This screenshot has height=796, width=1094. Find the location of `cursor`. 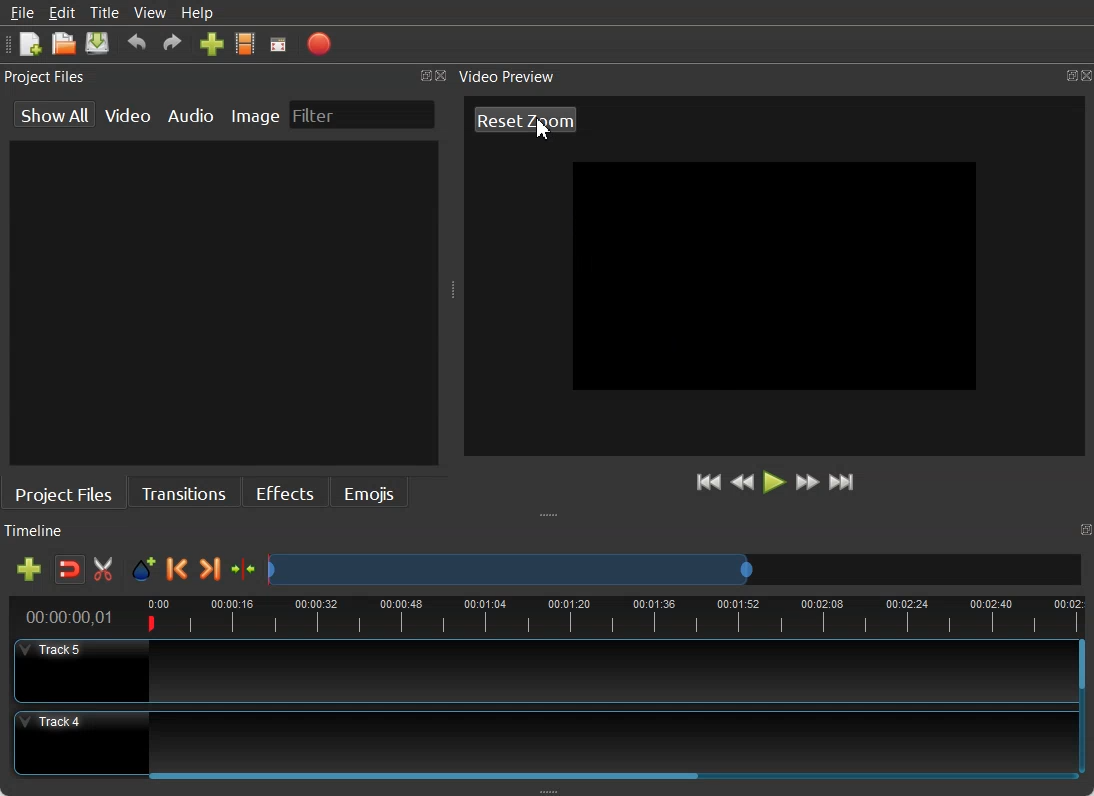

cursor is located at coordinates (543, 135).